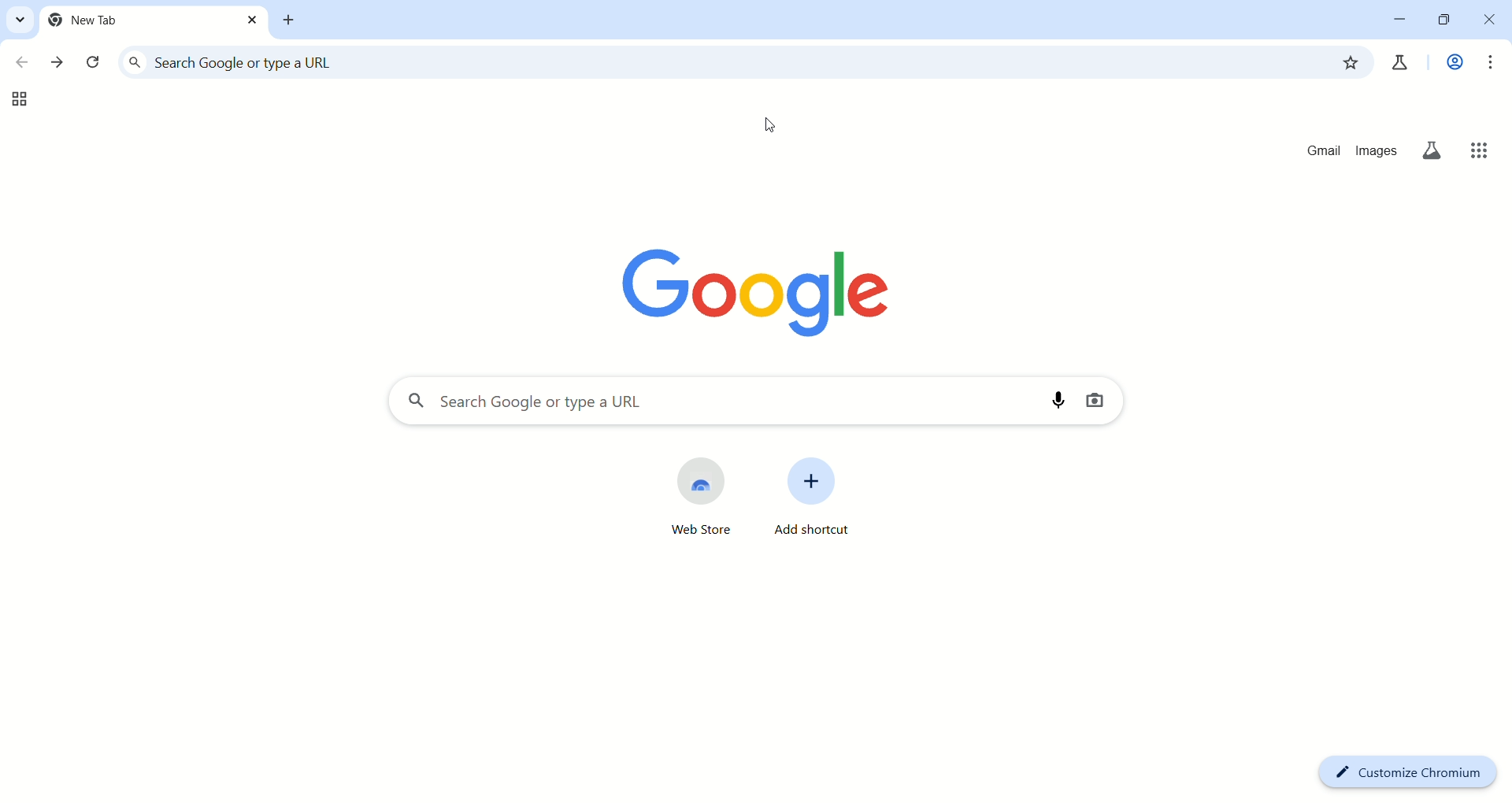 The image size is (1512, 803). Describe the element at coordinates (154, 20) in the screenshot. I see `current tab` at that location.